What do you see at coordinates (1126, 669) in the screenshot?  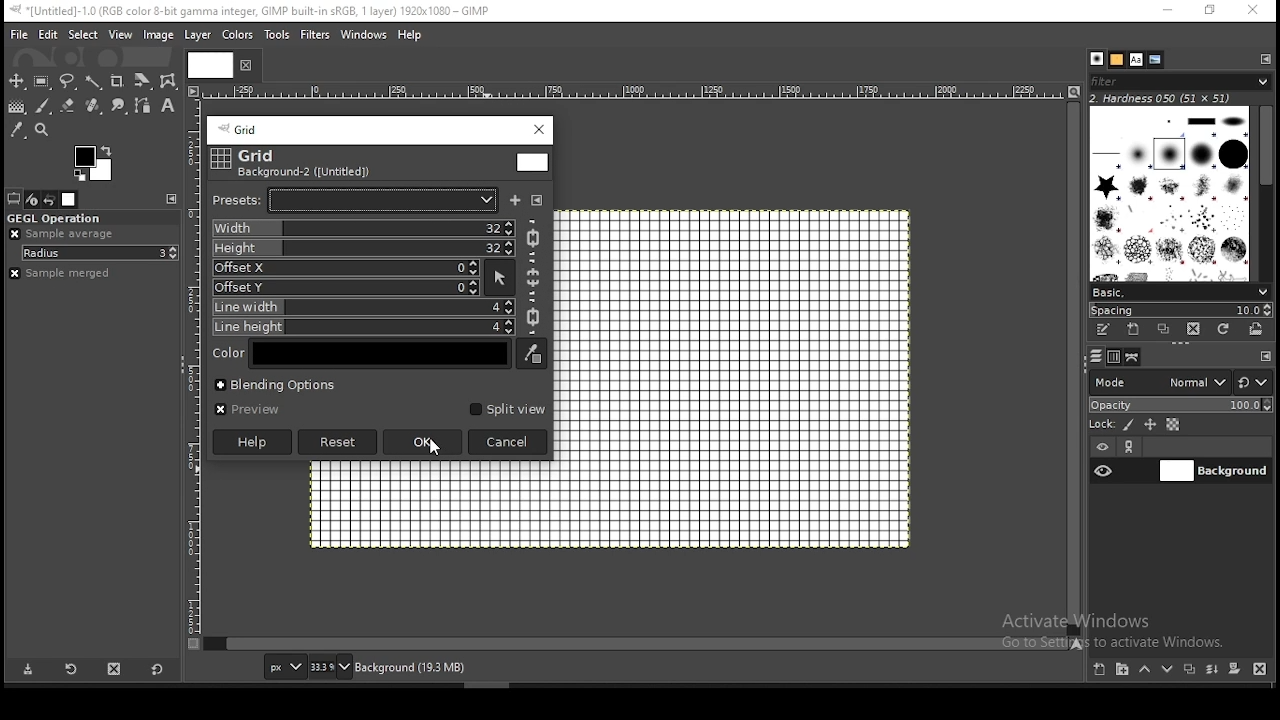 I see `new layer group` at bounding box center [1126, 669].